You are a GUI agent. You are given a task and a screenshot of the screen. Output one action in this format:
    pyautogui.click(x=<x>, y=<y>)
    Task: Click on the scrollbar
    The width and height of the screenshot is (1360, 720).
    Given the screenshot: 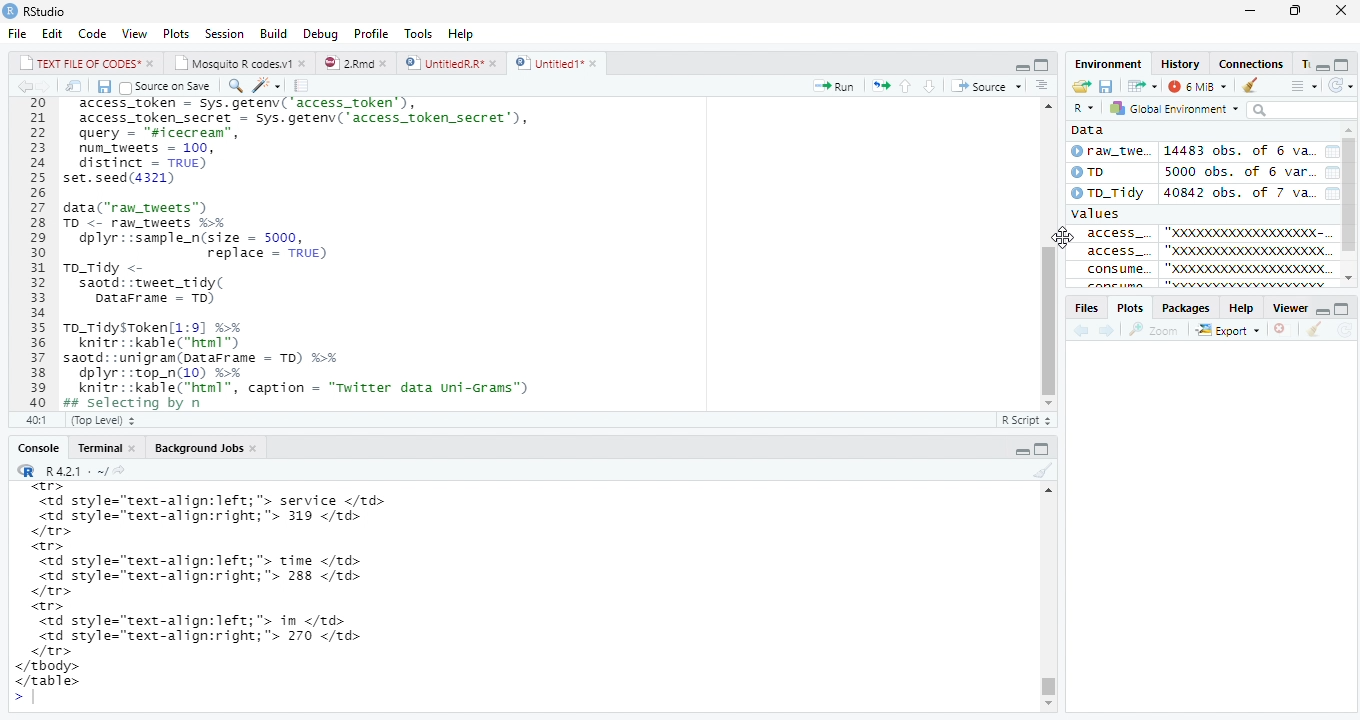 What is the action you would take?
    pyautogui.click(x=1047, y=250)
    